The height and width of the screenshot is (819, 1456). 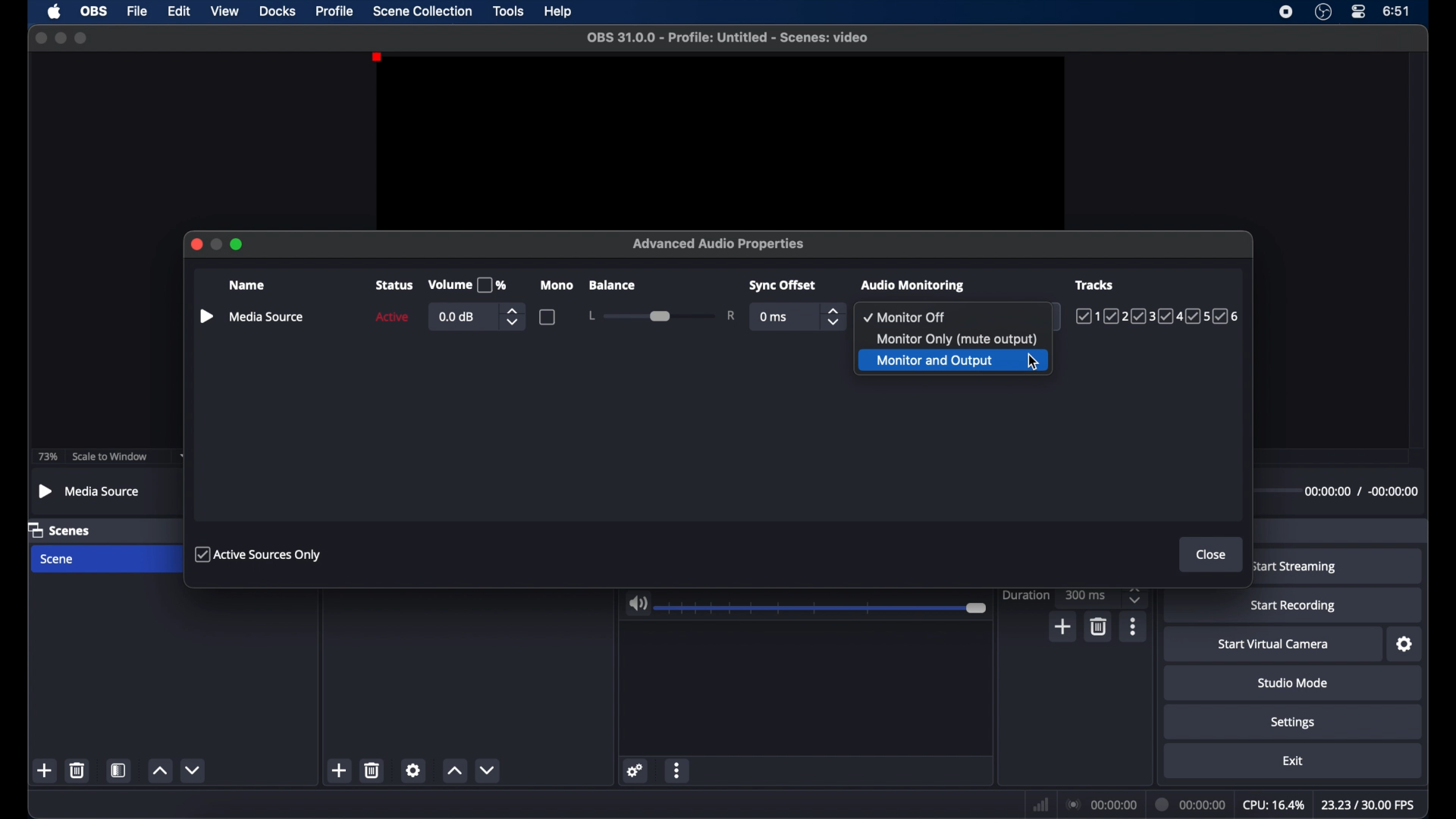 I want to click on tracks, so click(x=1157, y=316).